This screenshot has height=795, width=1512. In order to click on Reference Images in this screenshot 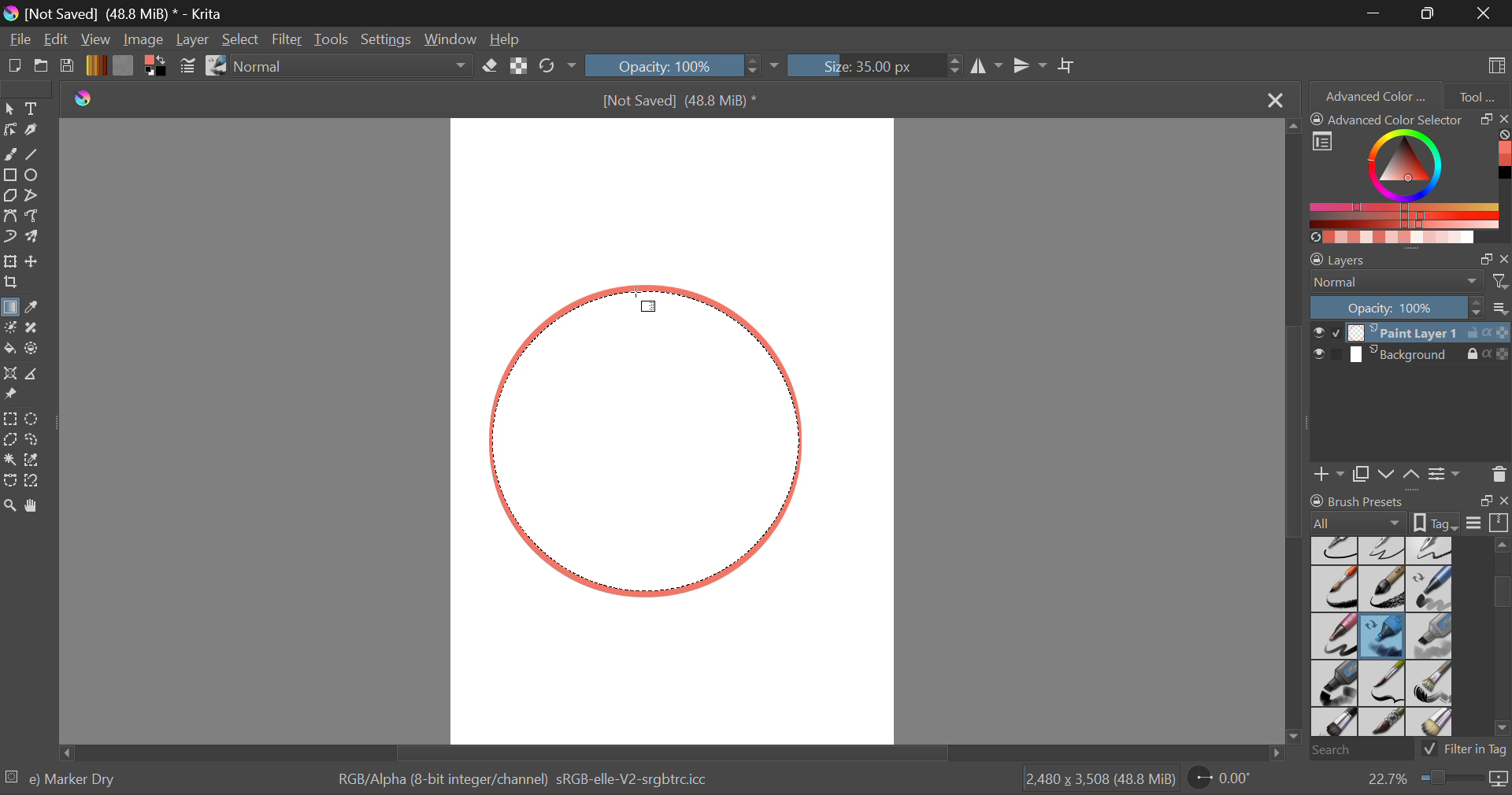, I will do `click(13, 395)`.